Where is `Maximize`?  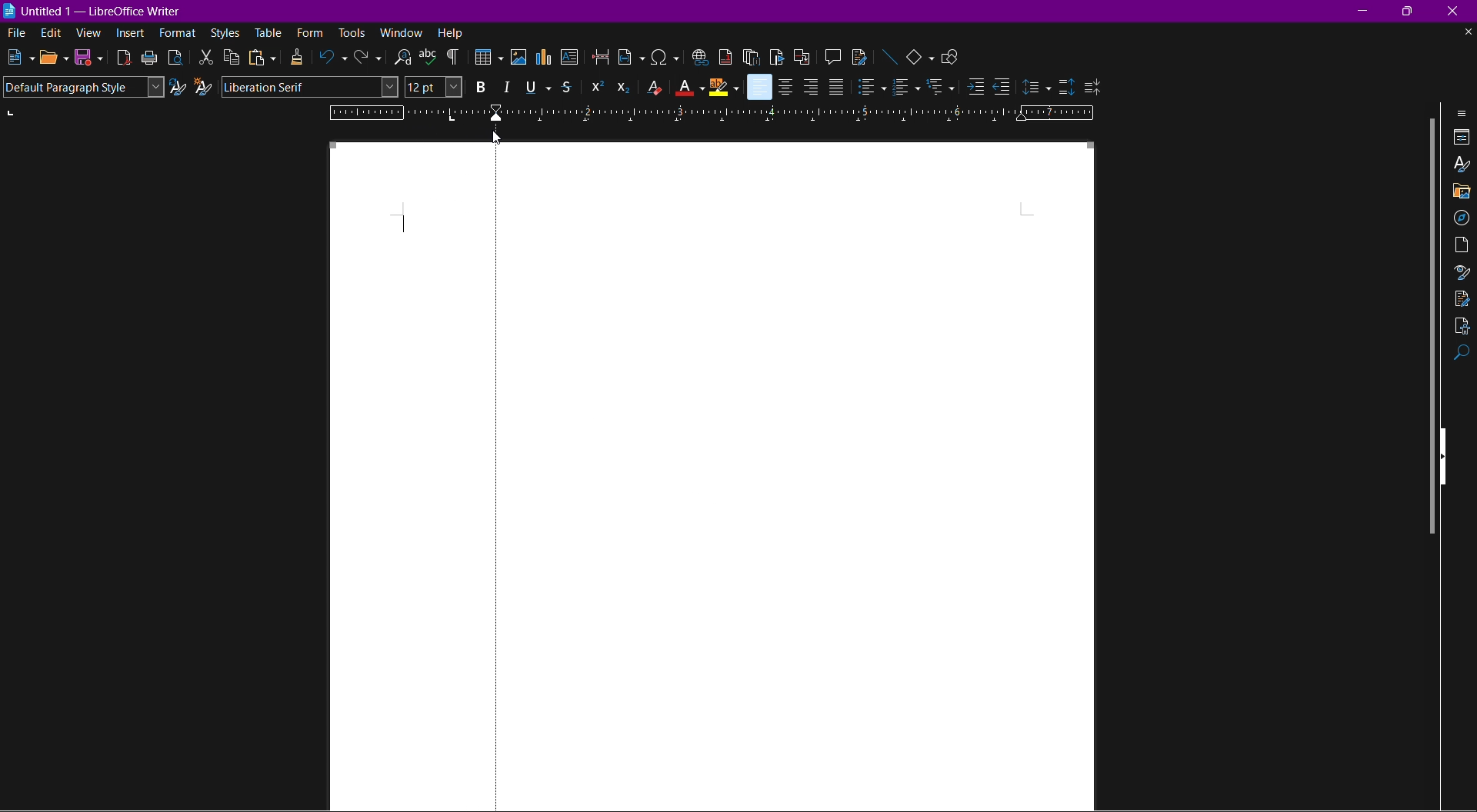
Maximize is located at coordinates (1412, 12).